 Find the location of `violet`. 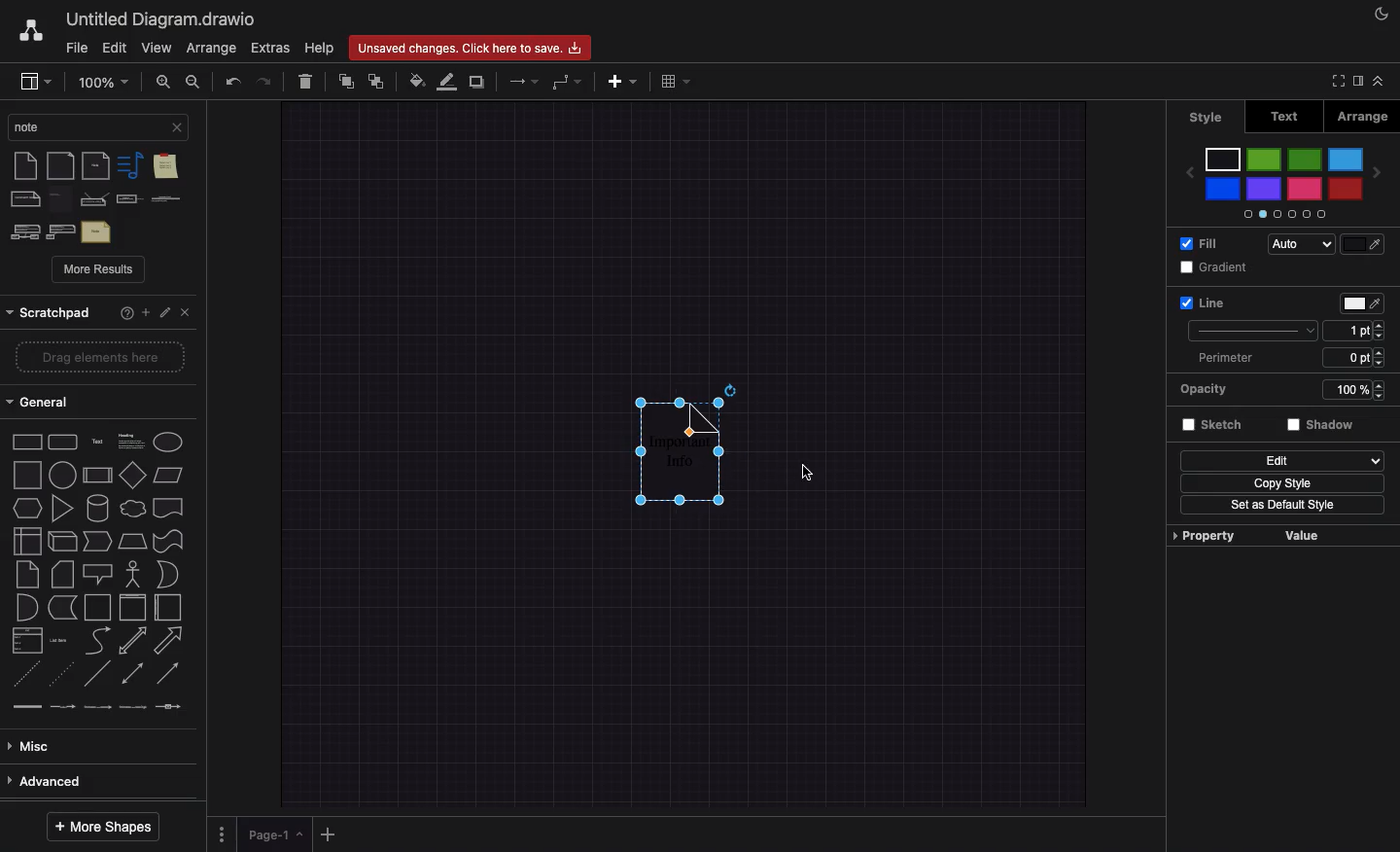

violet is located at coordinates (1265, 190).